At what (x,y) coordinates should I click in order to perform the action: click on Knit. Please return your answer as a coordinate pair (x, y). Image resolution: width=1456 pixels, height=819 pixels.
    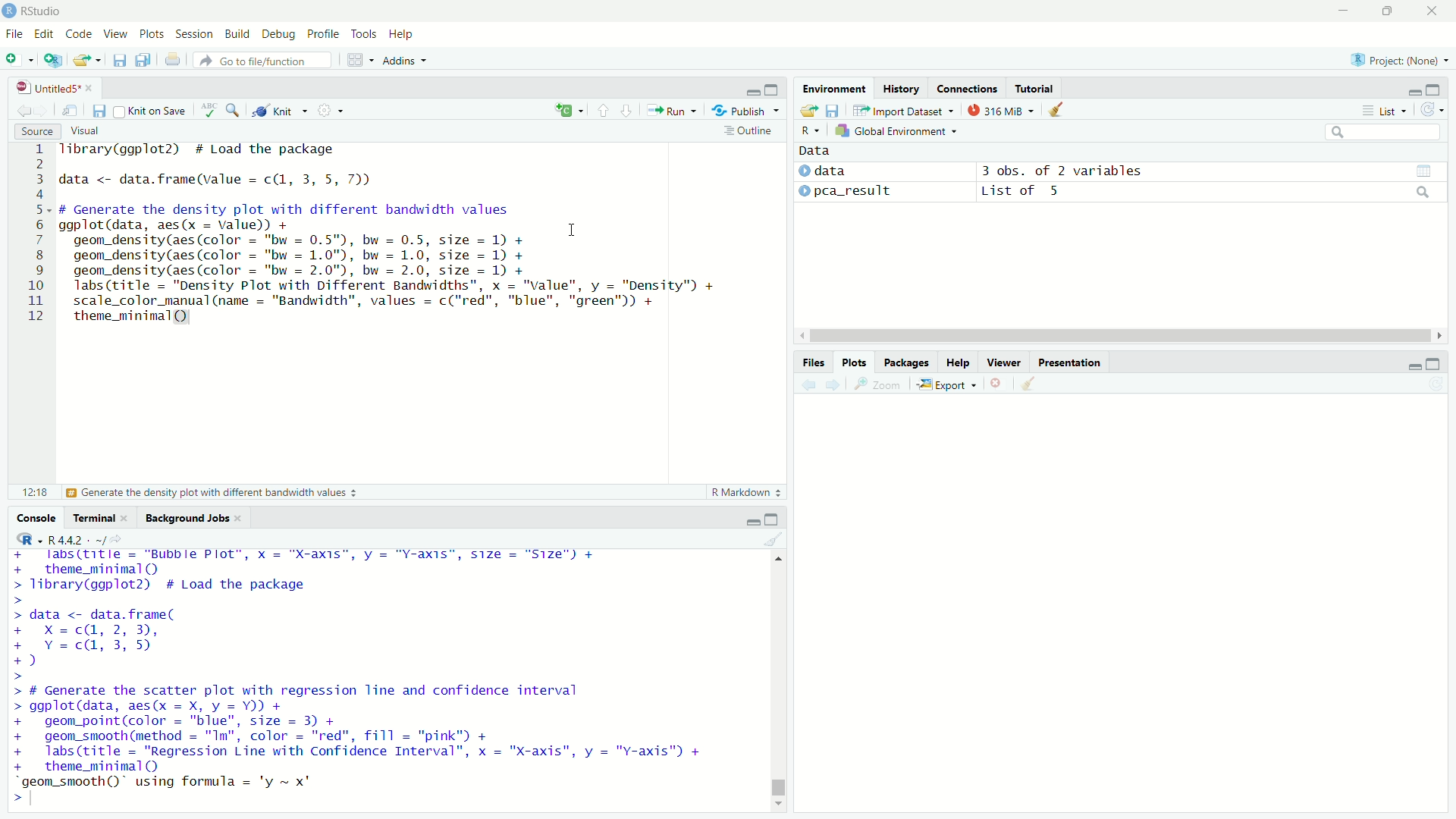
    Looking at the image, I should click on (279, 111).